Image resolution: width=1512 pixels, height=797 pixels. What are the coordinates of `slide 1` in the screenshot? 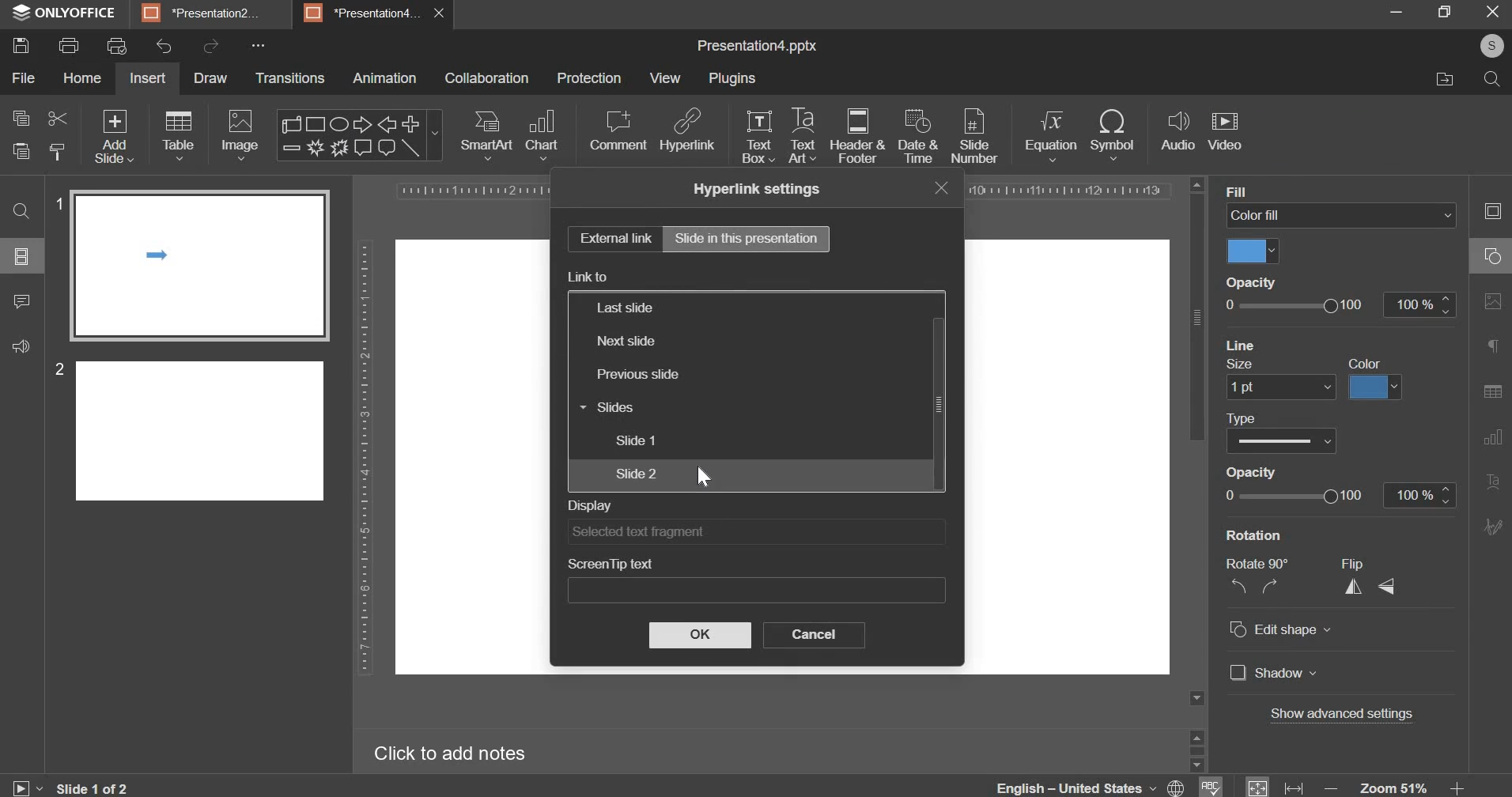 It's located at (636, 440).